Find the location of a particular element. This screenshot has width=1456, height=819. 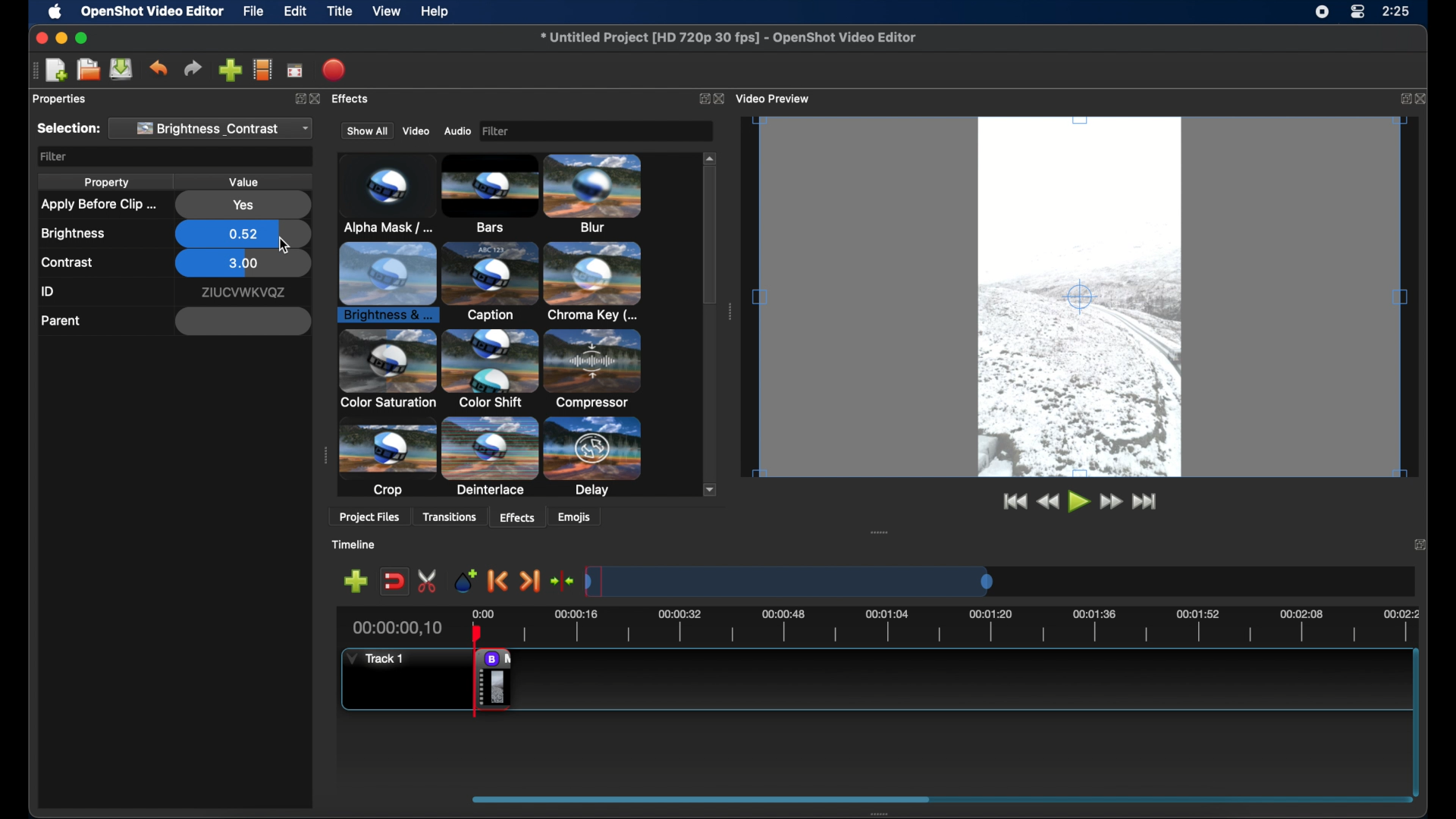

rime is located at coordinates (1397, 13).